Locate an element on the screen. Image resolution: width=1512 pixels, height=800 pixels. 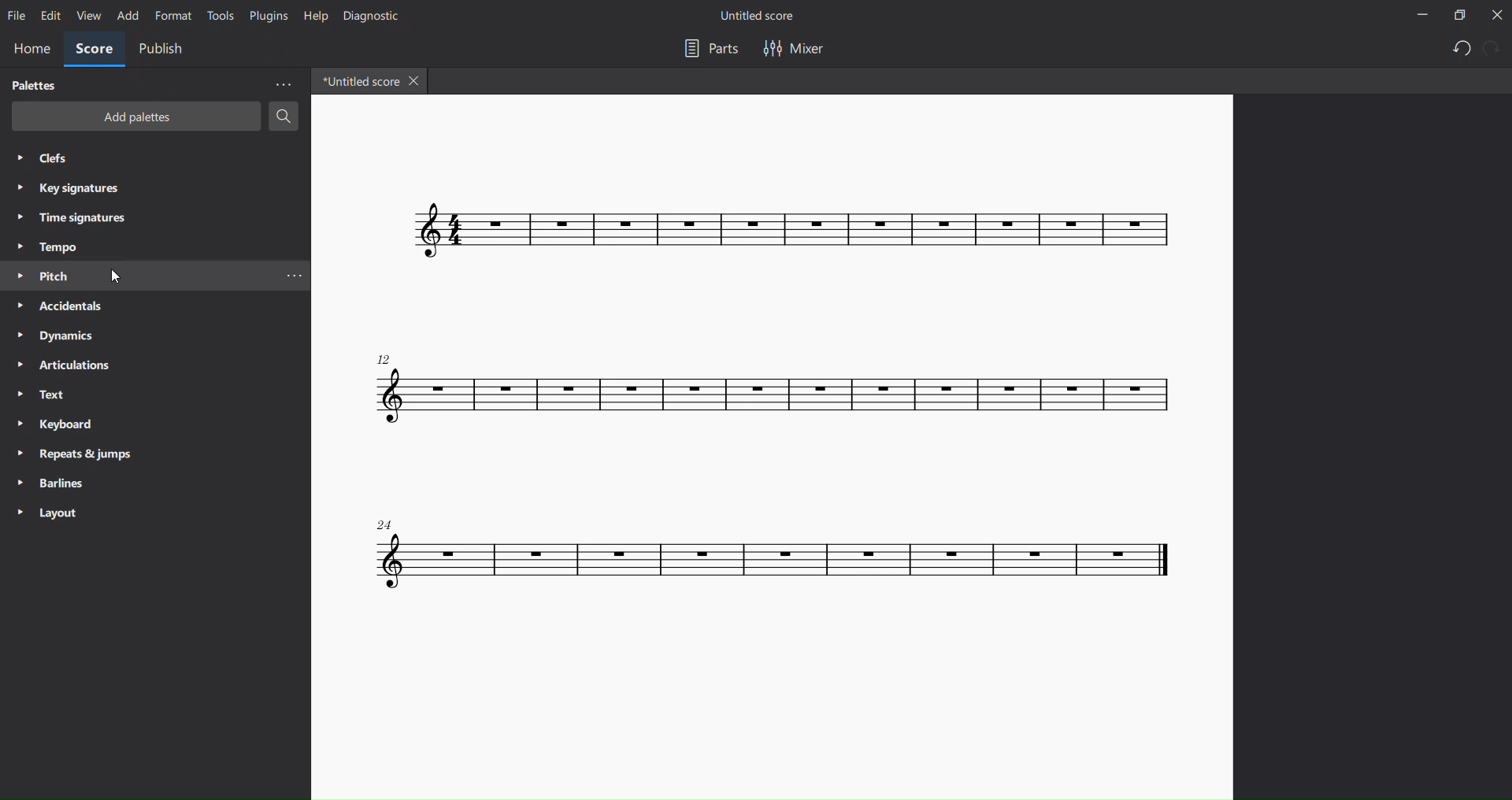
layout is located at coordinates (53, 515).